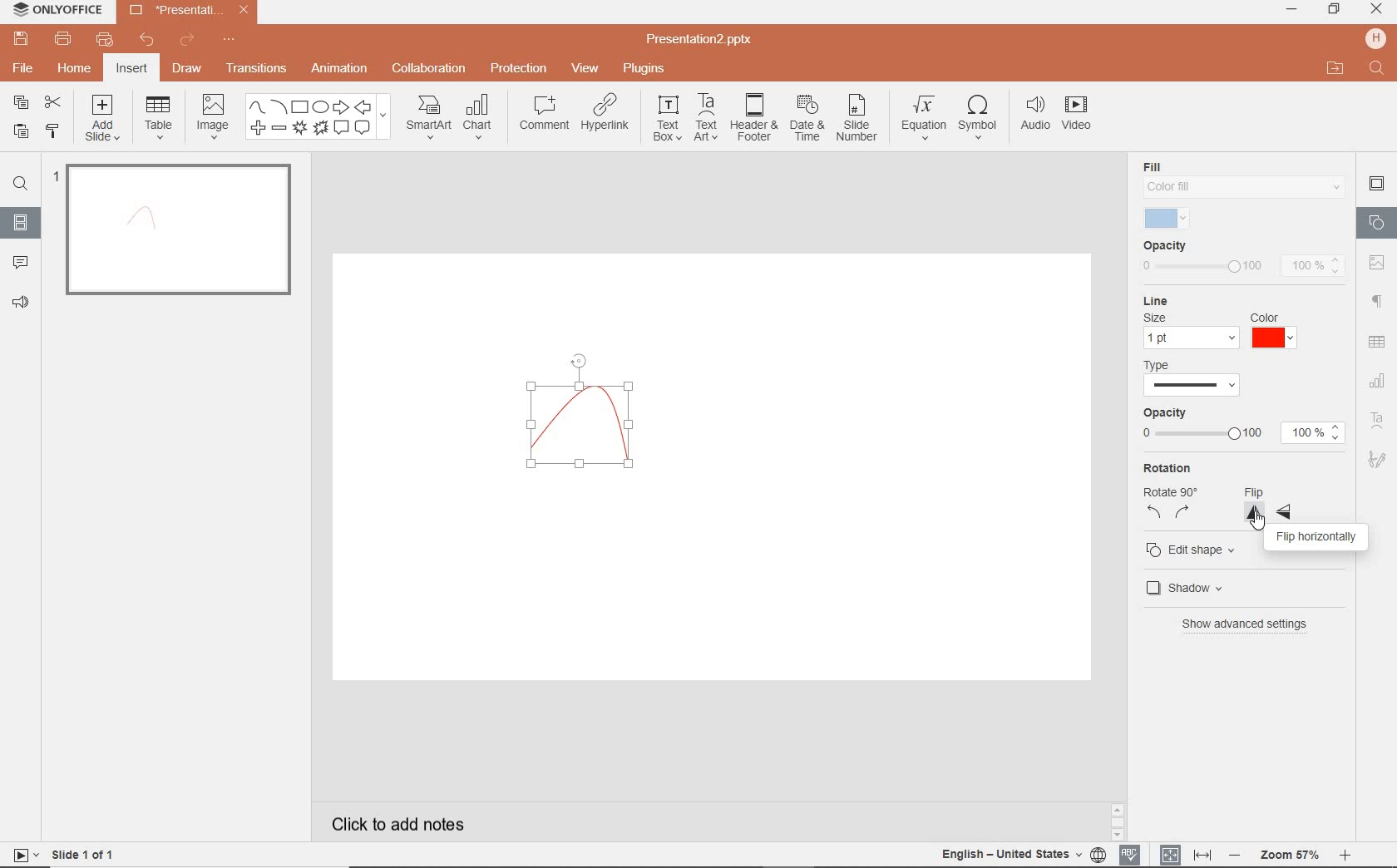 Image resolution: width=1397 pixels, height=868 pixels. What do you see at coordinates (1259, 520) in the screenshot?
I see `cursor` at bounding box center [1259, 520].